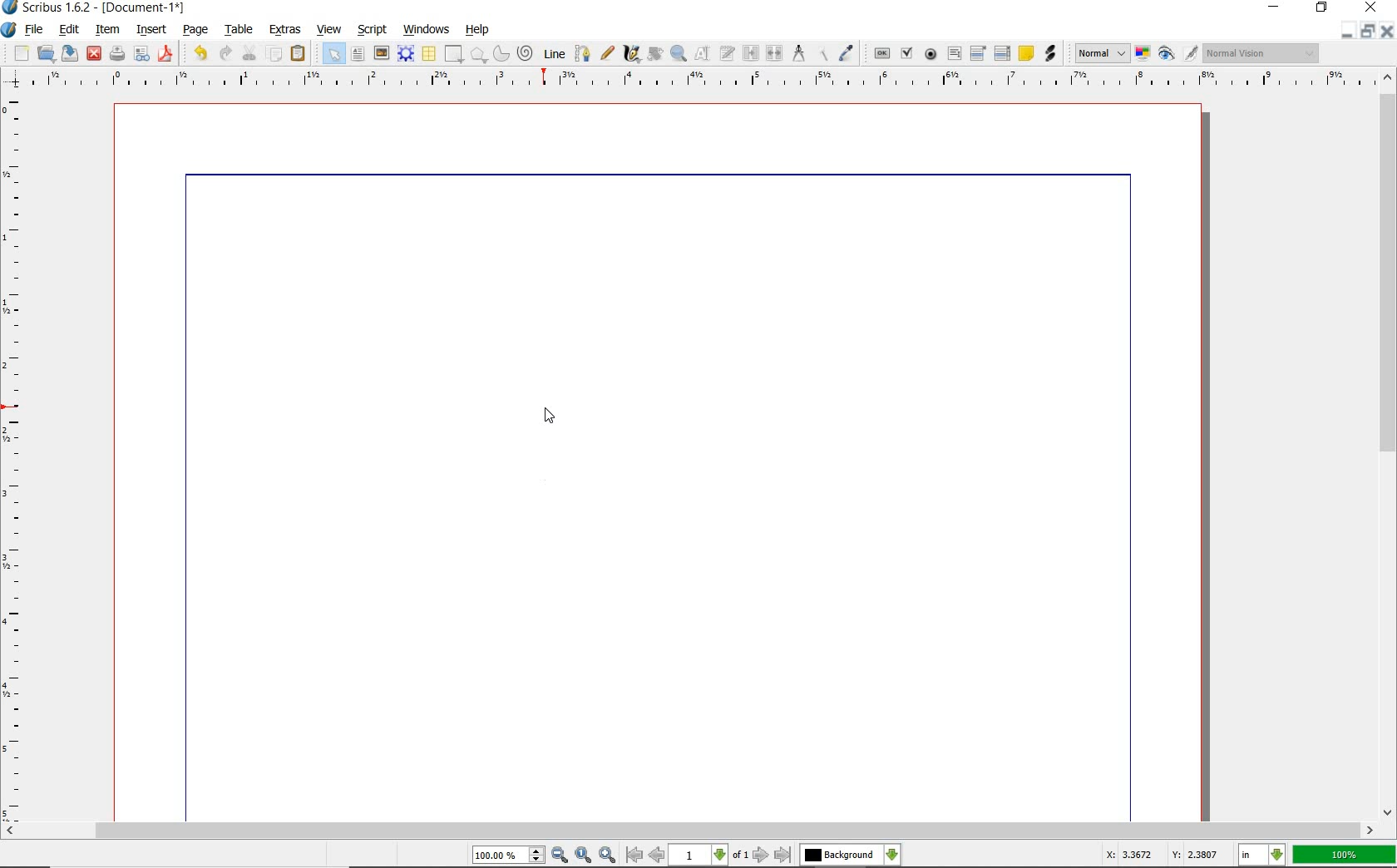 The height and width of the screenshot is (868, 1397). Describe the element at coordinates (45, 52) in the screenshot. I see `open` at that location.